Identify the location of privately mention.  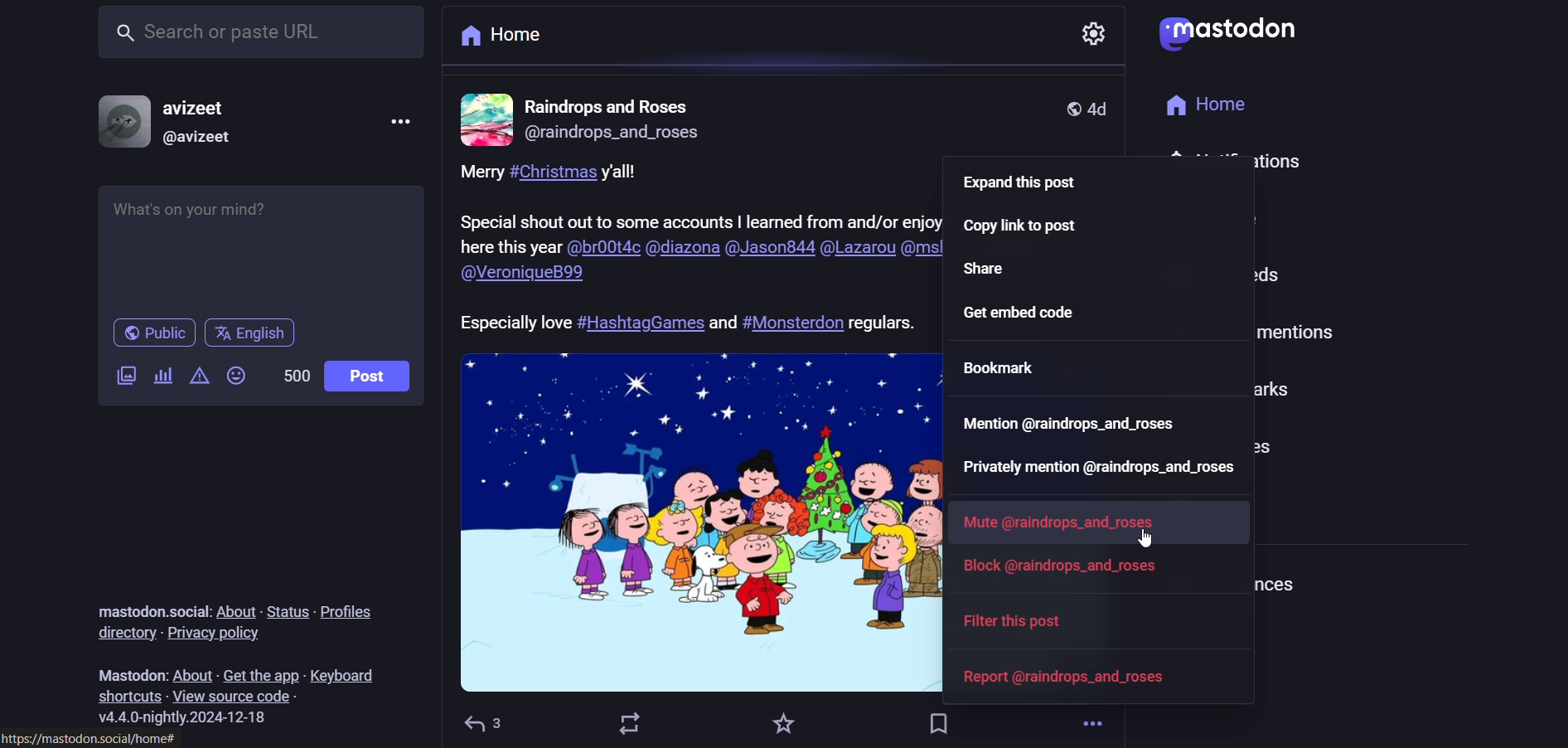
(1097, 467).